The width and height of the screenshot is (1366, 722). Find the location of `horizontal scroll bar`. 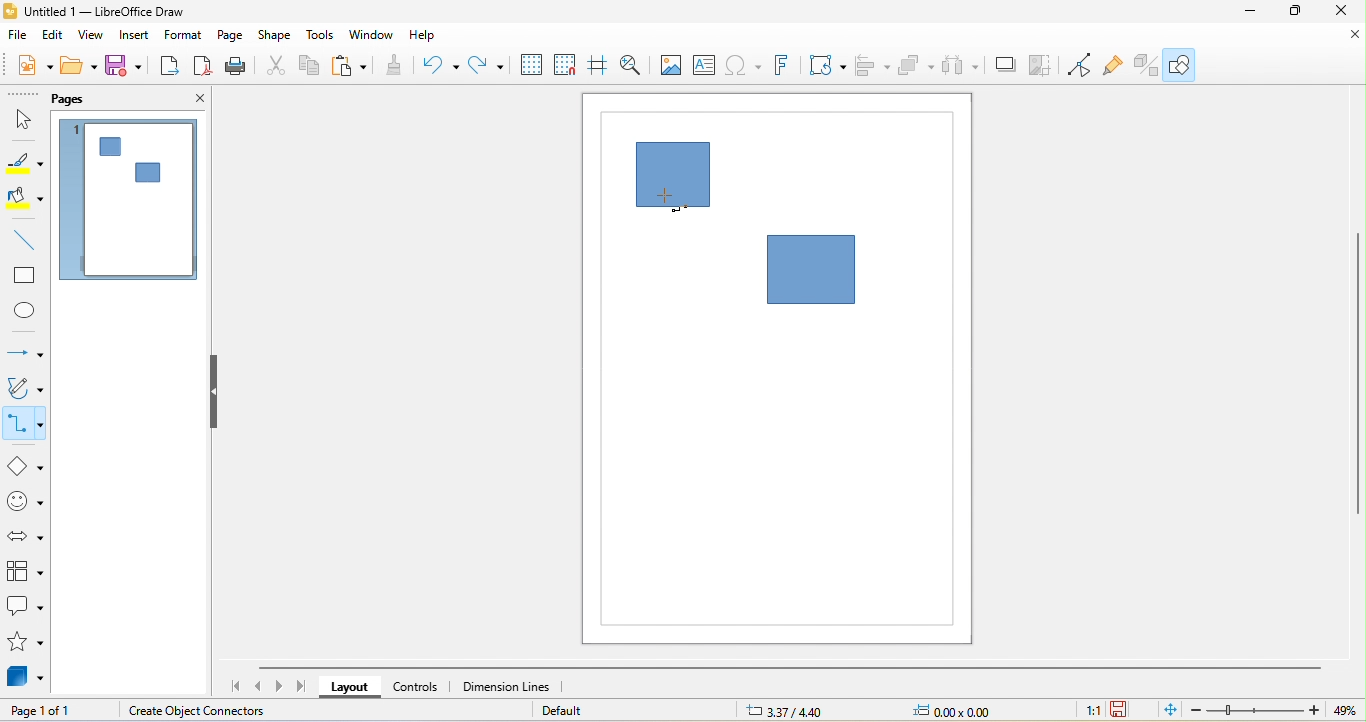

horizontal scroll bar is located at coordinates (788, 670).